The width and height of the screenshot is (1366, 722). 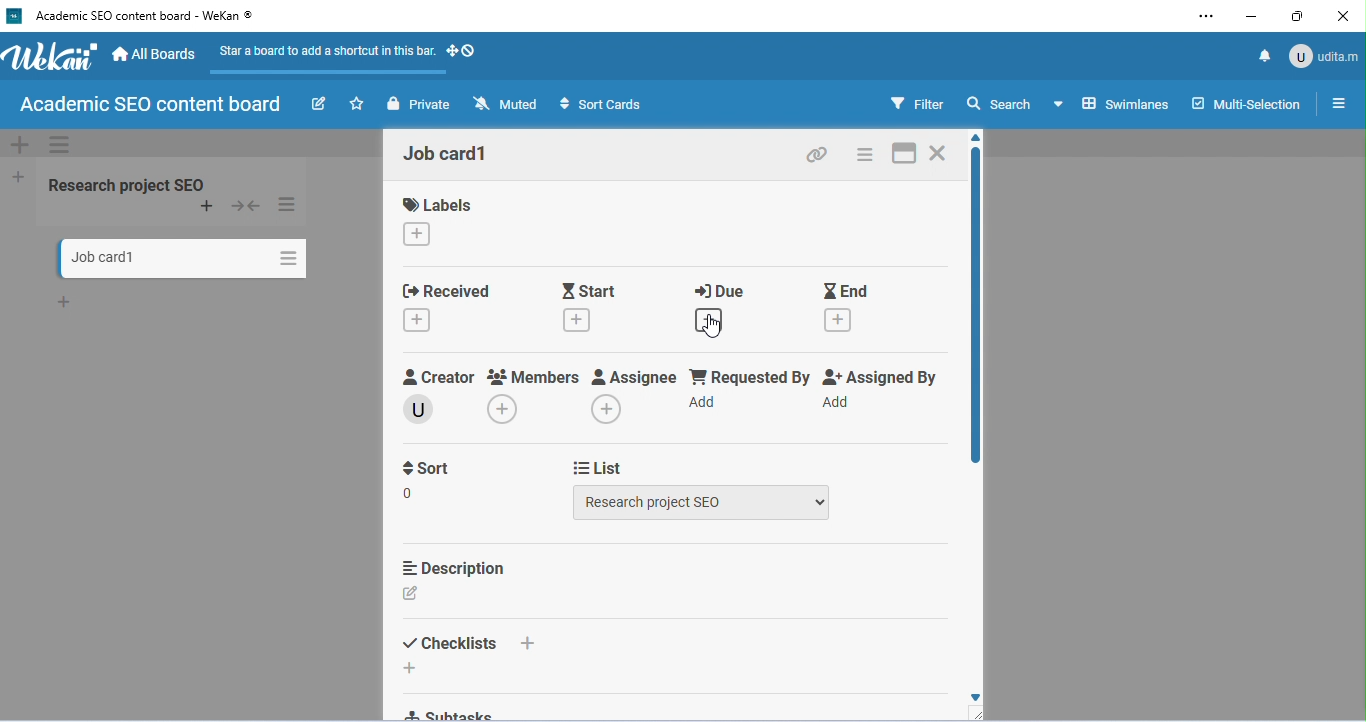 I want to click on card name: Job card1, so click(x=98, y=257).